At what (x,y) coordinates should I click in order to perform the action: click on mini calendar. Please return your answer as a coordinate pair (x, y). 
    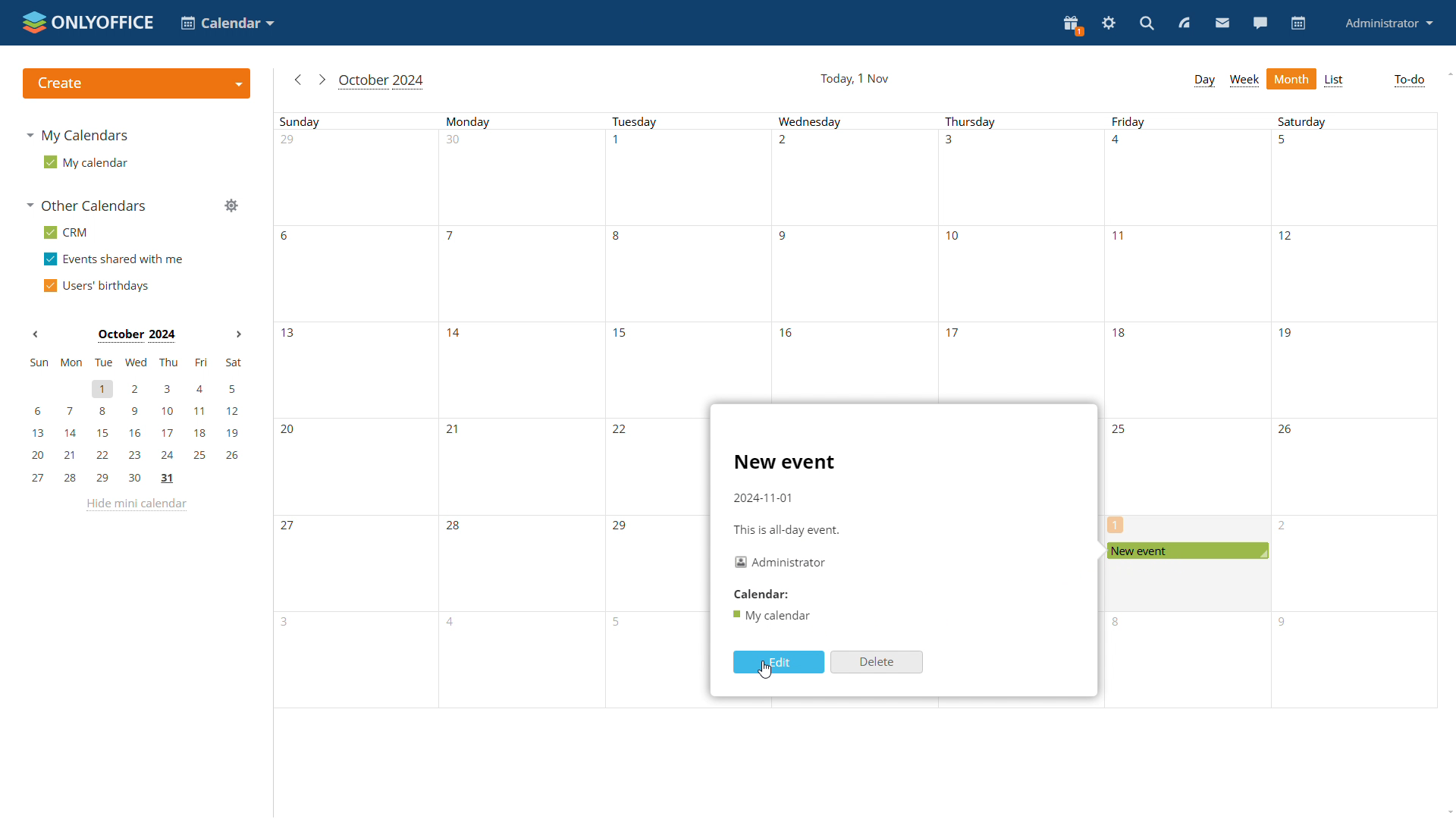
    Looking at the image, I should click on (135, 421).